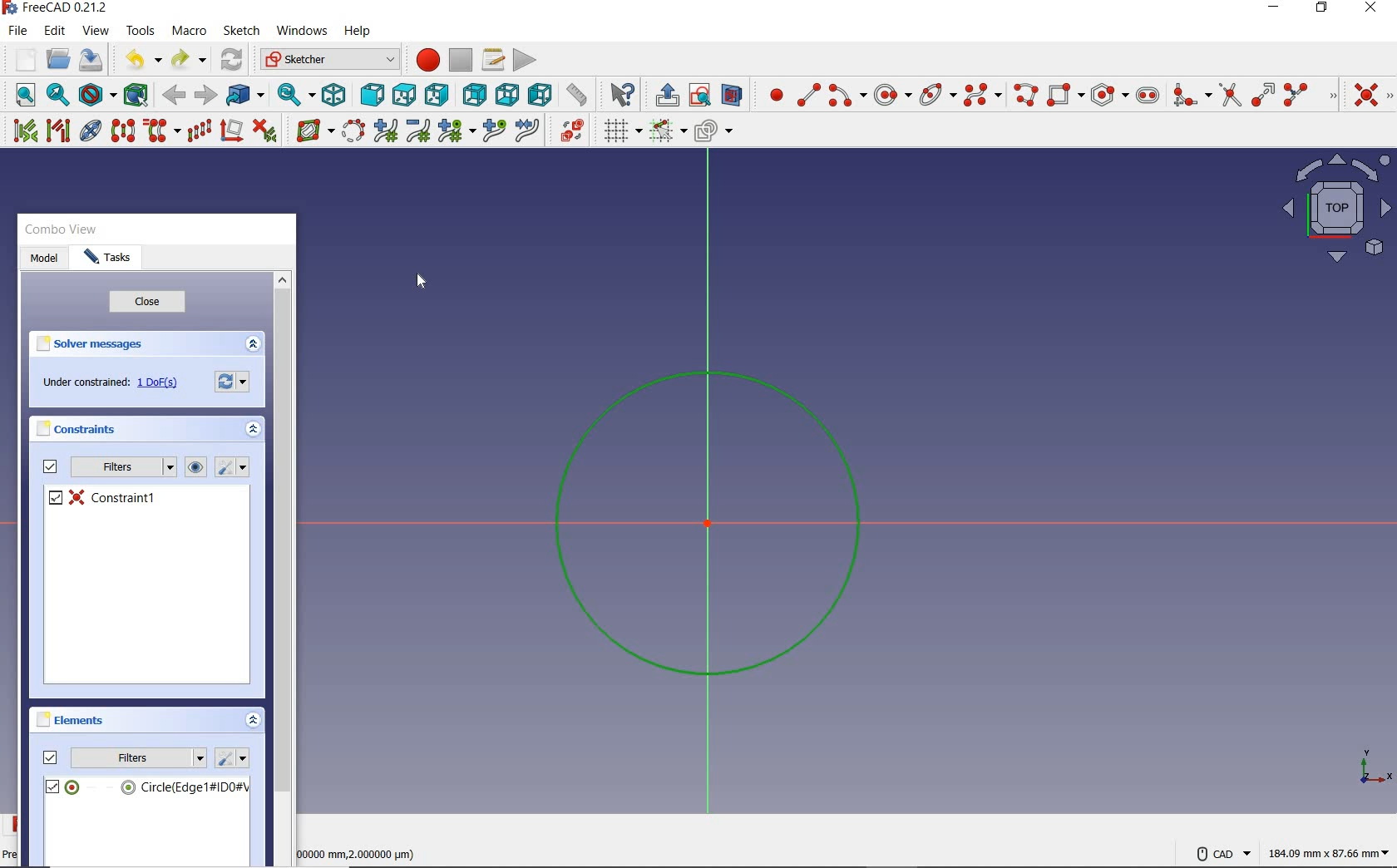 The height and width of the screenshot is (868, 1397). Describe the element at coordinates (327, 58) in the screenshot. I see `switch between workbenches` at that location.